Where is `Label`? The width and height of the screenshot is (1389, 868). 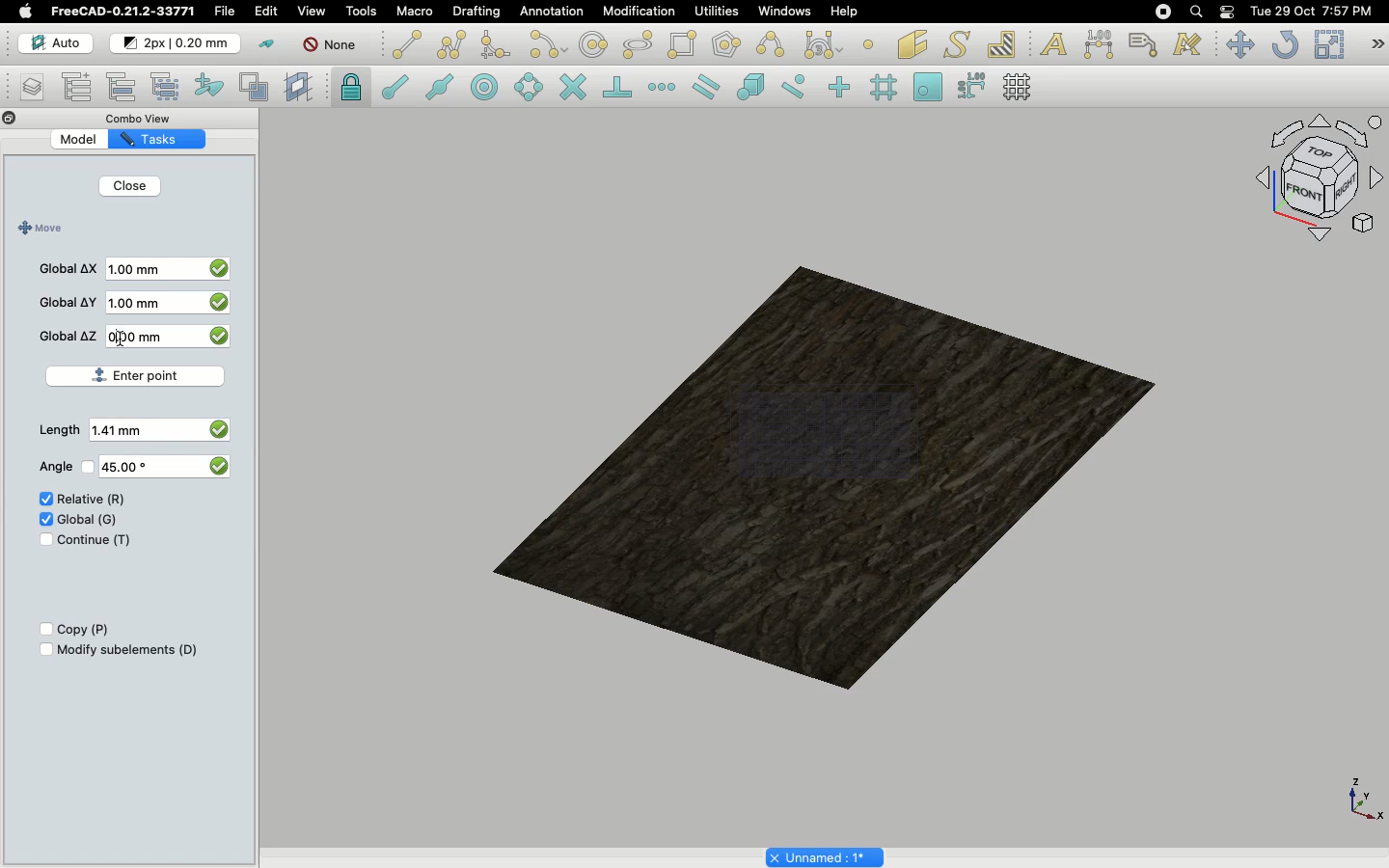
Label is located at coordinates (1146, 44).